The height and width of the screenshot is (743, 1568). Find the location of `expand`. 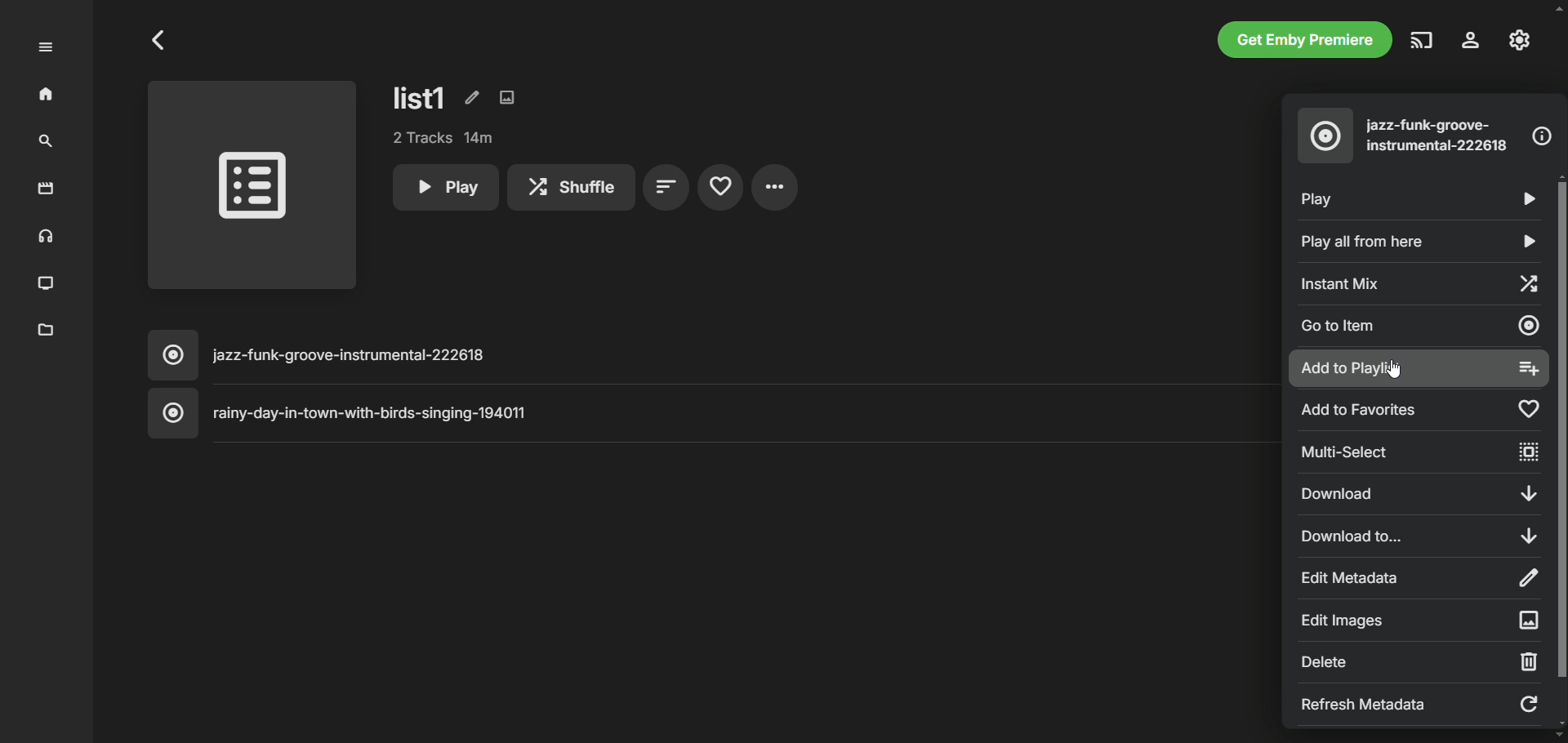

expand is located at coordinates (46, 47).